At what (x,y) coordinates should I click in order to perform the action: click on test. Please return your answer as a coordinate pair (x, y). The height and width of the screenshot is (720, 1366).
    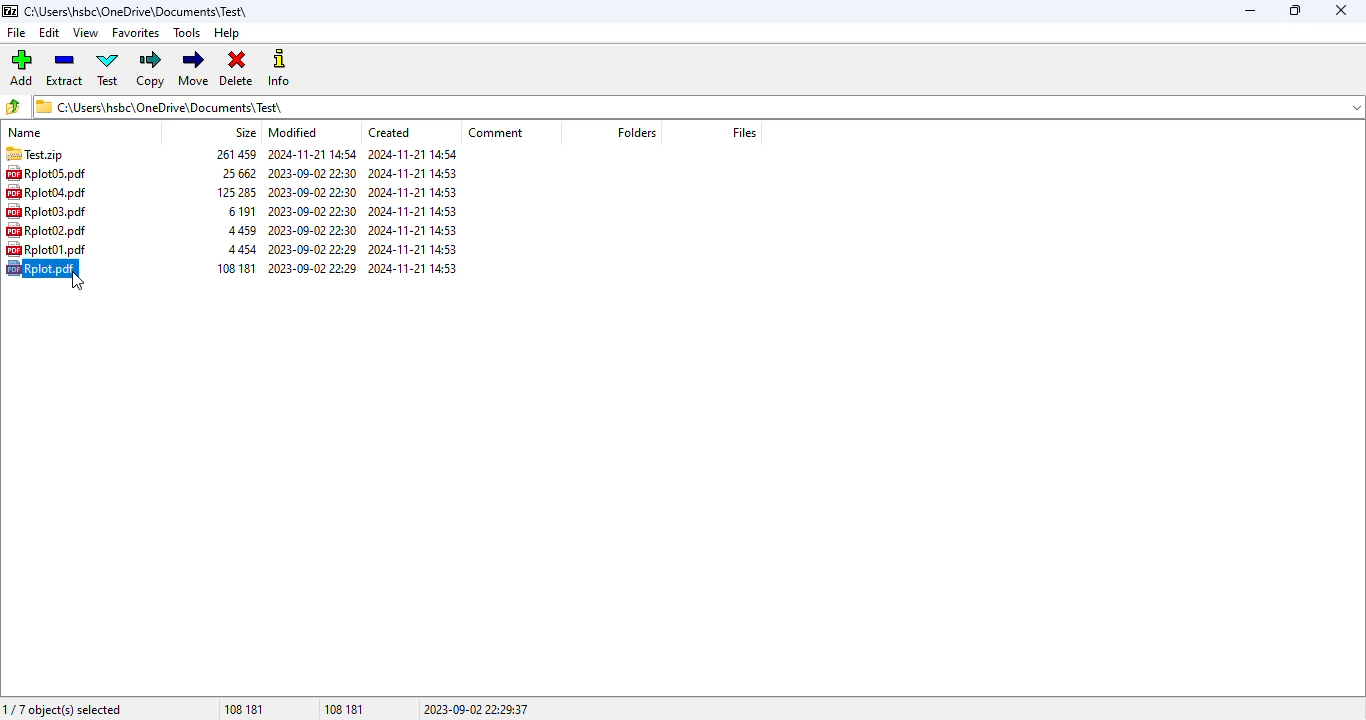
    Looking at the image, I should click on (110, 68).